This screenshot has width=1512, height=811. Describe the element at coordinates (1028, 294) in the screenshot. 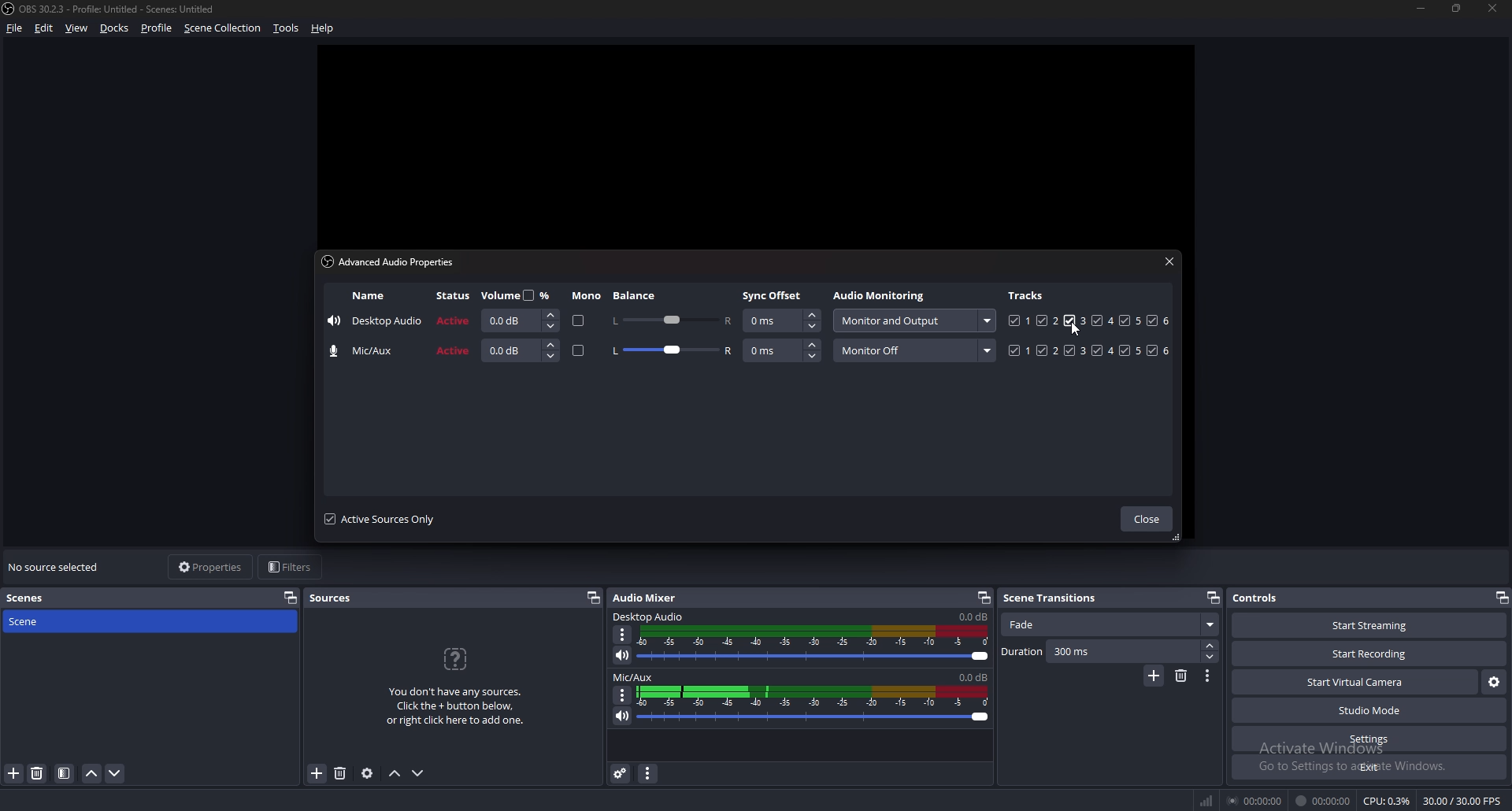

I see `tracks` at that location.